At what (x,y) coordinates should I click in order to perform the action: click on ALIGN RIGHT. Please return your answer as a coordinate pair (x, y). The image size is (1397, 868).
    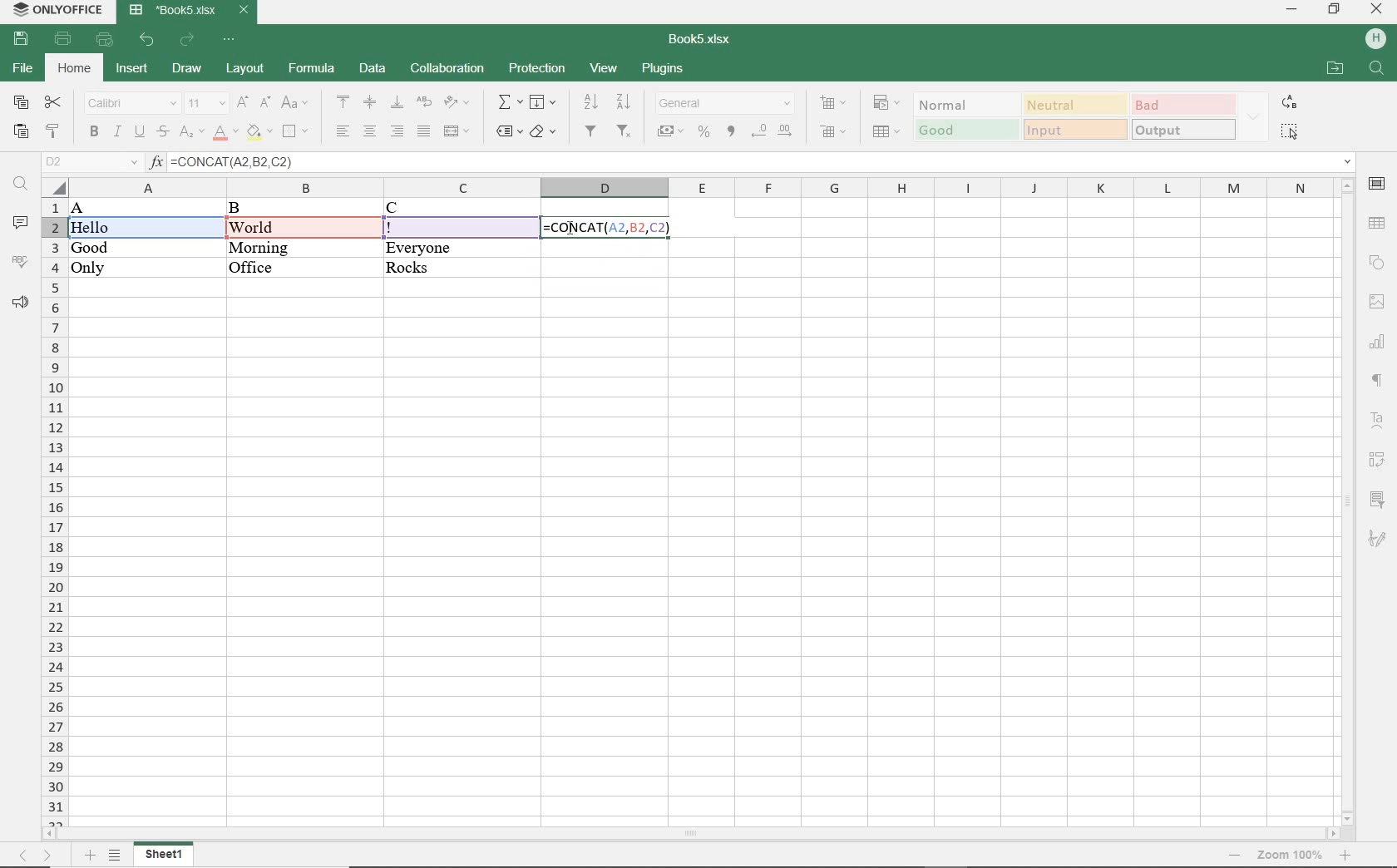
    Looking at the image, I should click on (398, 132).